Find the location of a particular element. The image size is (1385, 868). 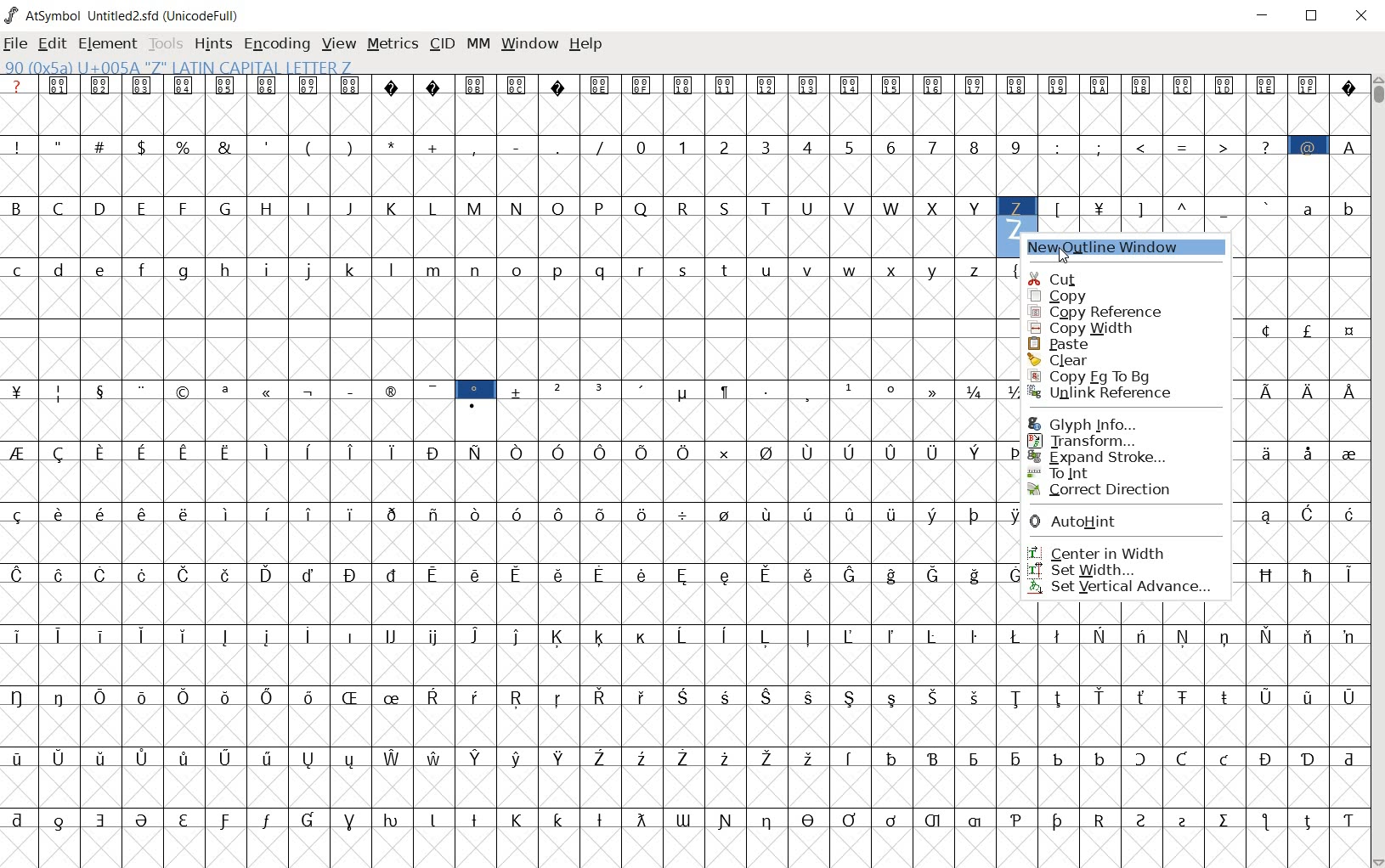

correct direction is located at coordinates (1105, 491).